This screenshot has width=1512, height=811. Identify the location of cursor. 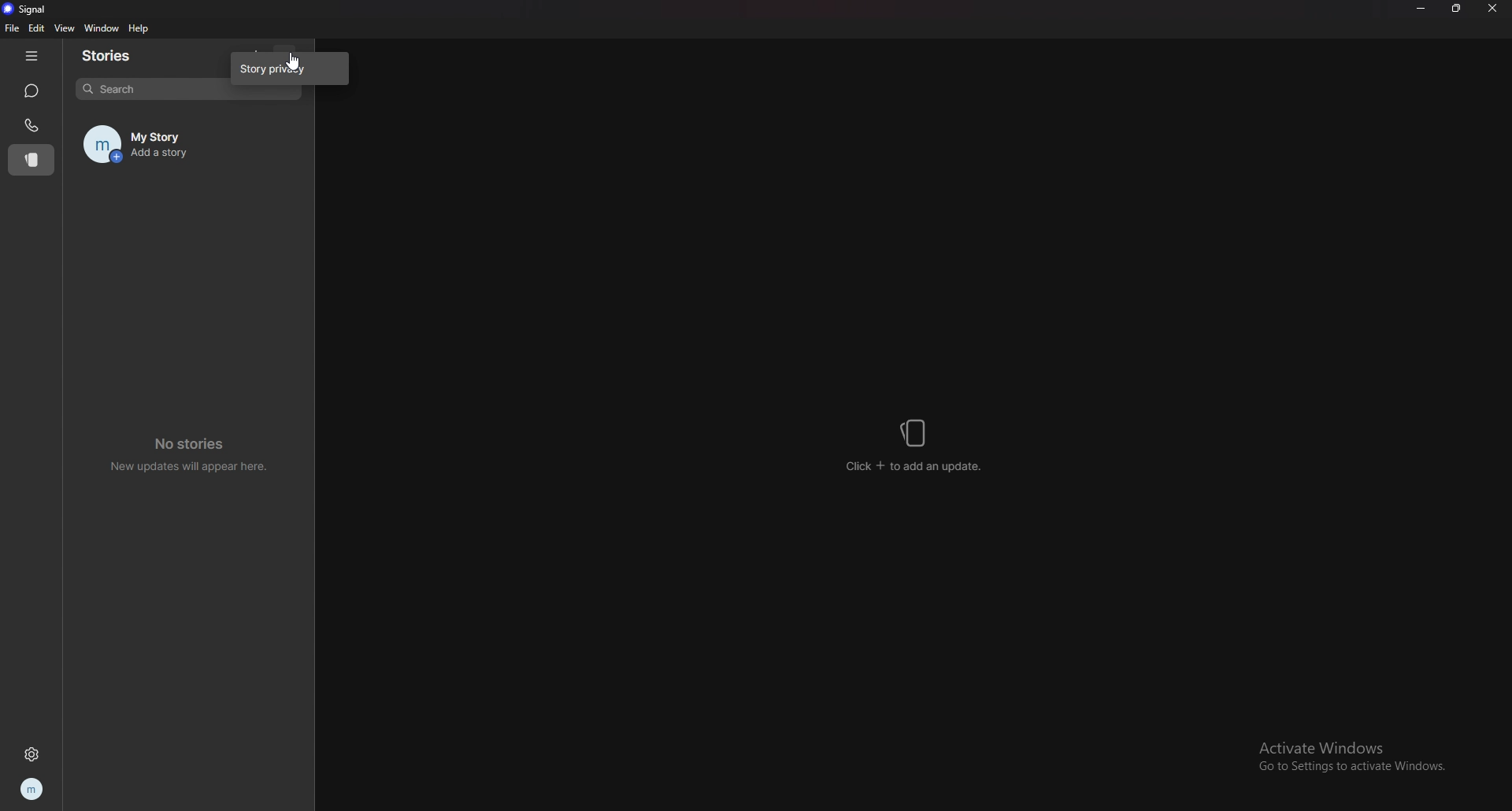
(294, 58).